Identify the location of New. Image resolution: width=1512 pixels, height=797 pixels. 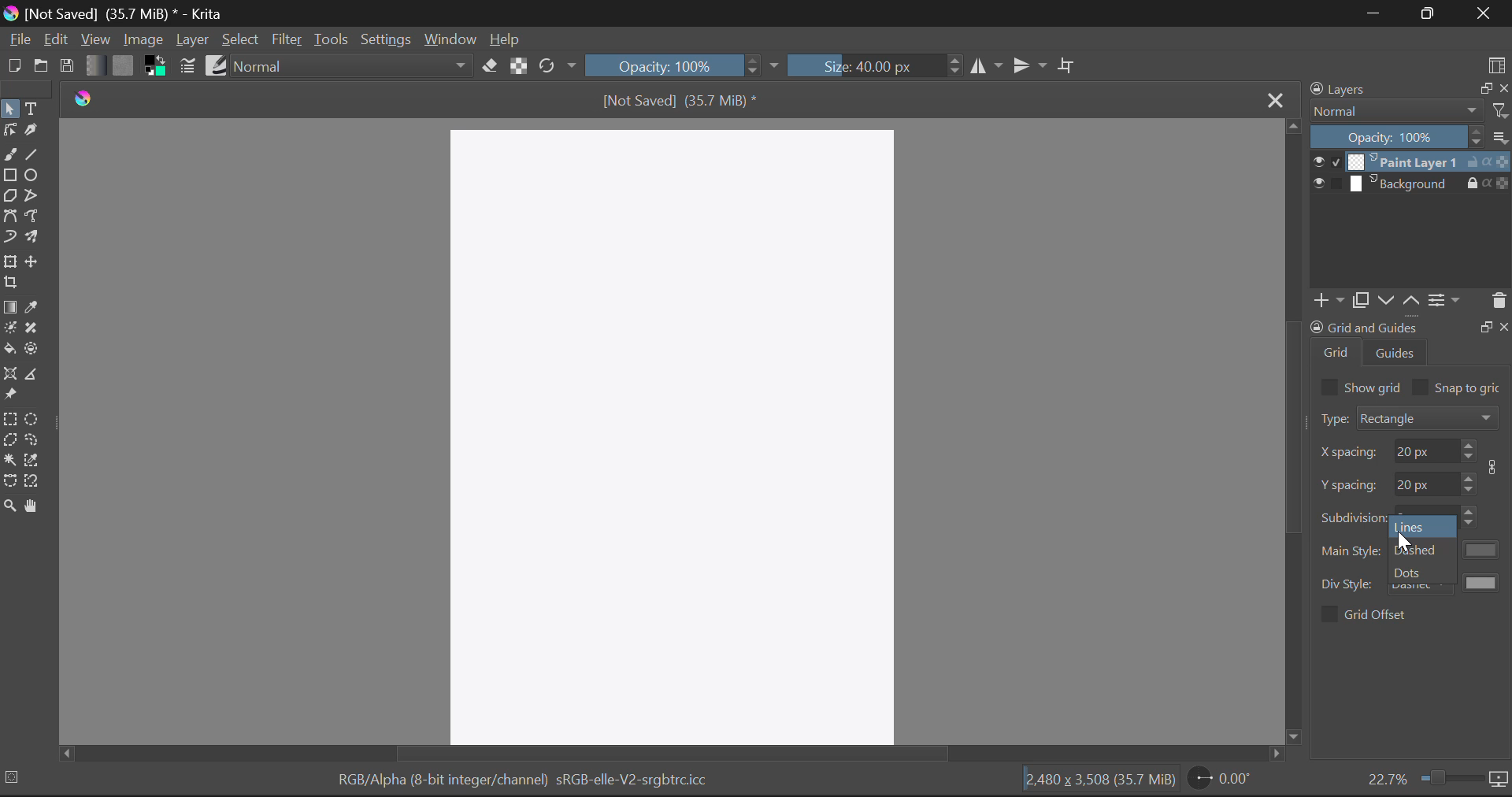
(13, 65).